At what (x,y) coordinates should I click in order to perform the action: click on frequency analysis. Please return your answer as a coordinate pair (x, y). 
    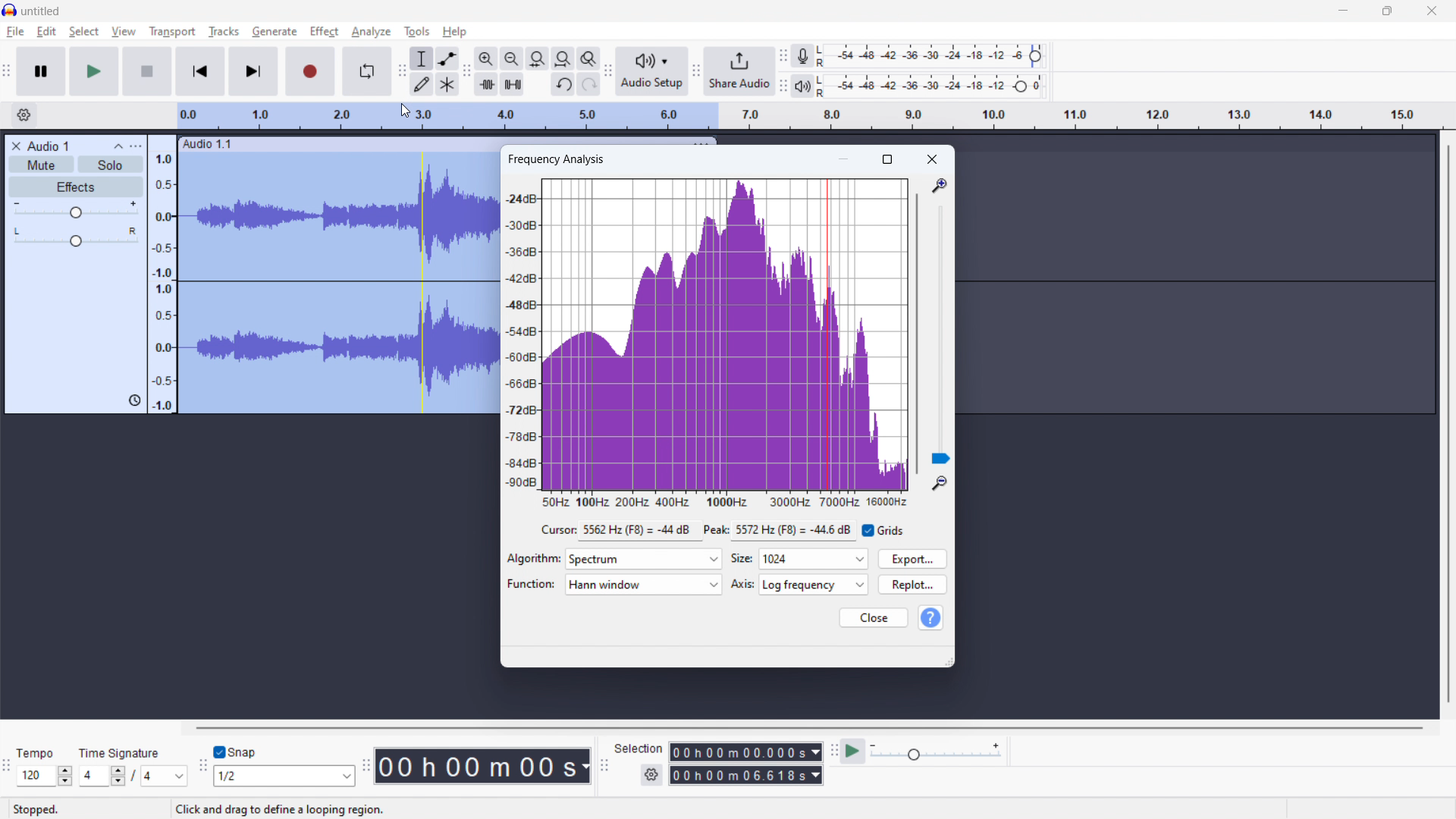
    Looking at the image, I should click on (557, 160).